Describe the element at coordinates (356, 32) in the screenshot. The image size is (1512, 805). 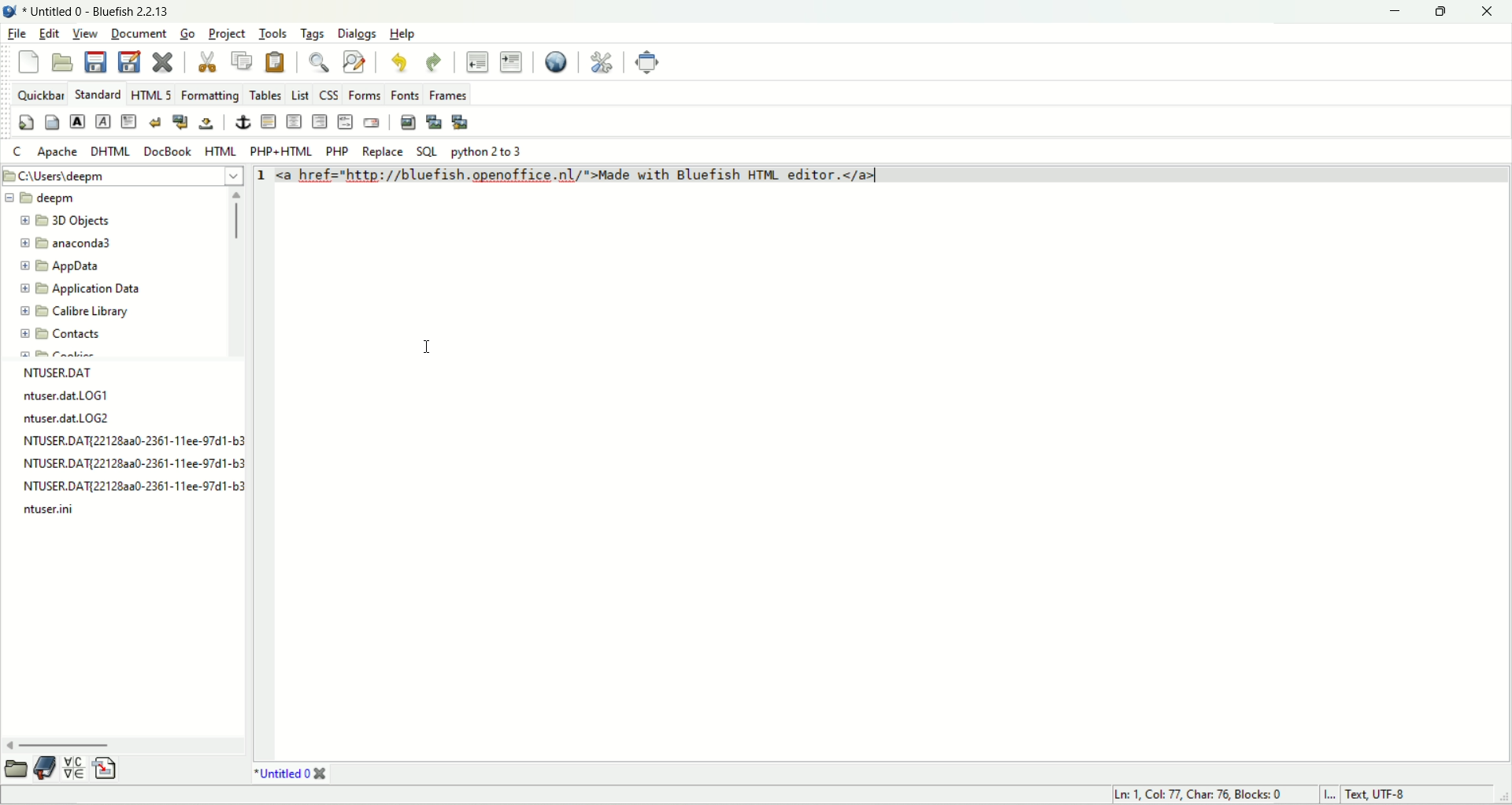
I see `dialogs` at that location.